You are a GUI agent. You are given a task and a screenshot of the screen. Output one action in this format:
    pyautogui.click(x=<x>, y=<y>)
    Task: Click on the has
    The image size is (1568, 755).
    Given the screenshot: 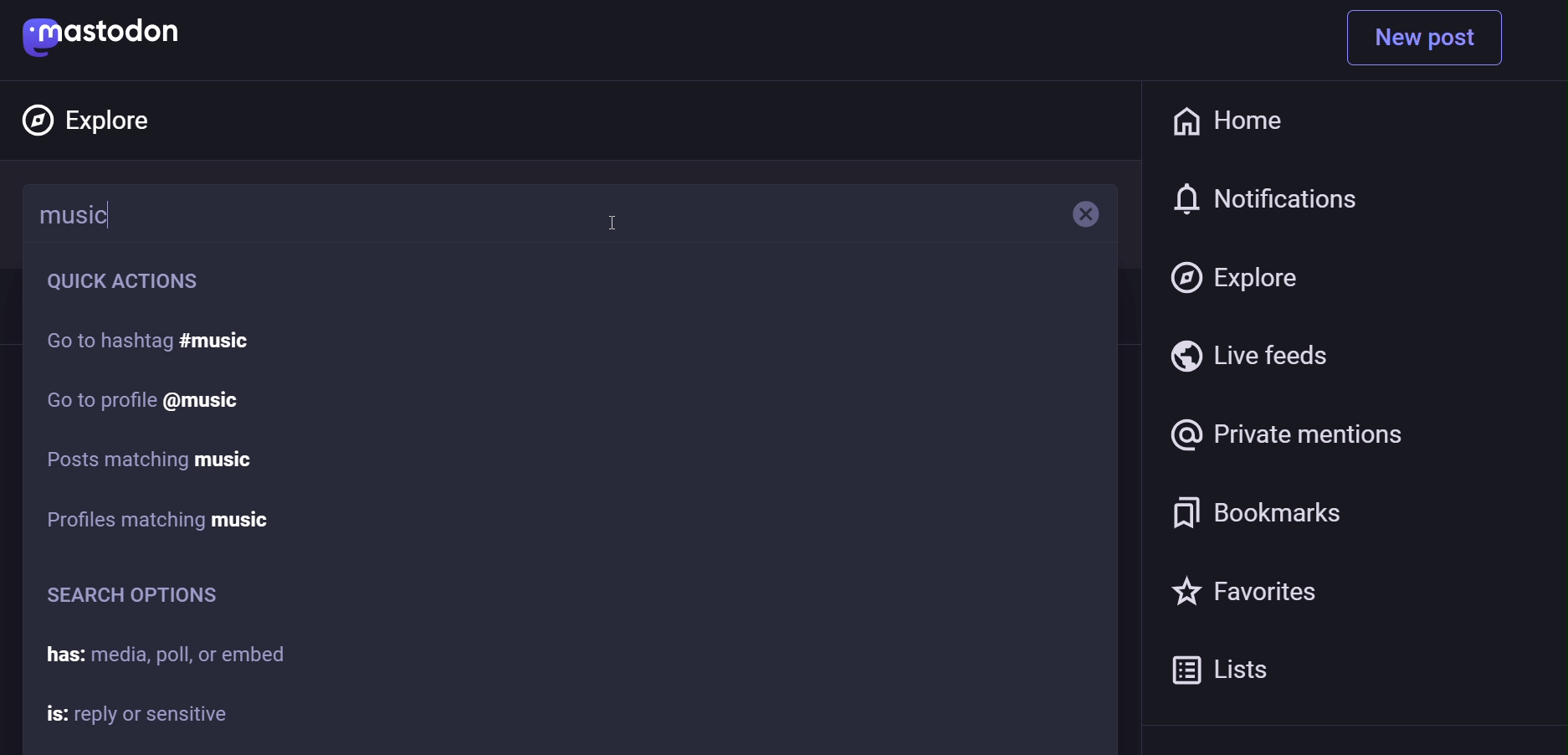 What is the action you would take?
    pyautogui.click(x=172, y=655)
    